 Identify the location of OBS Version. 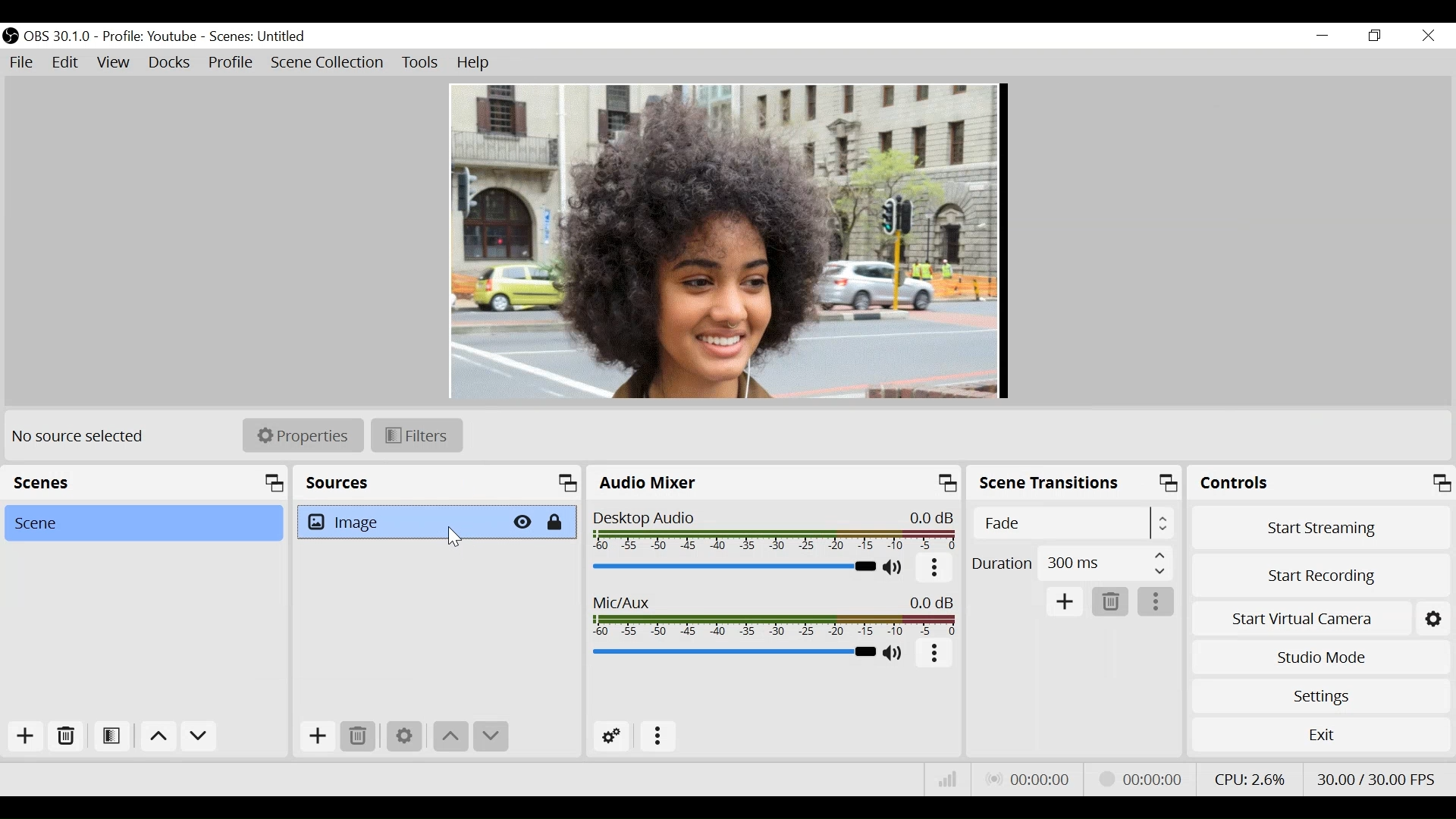
(57, 37).